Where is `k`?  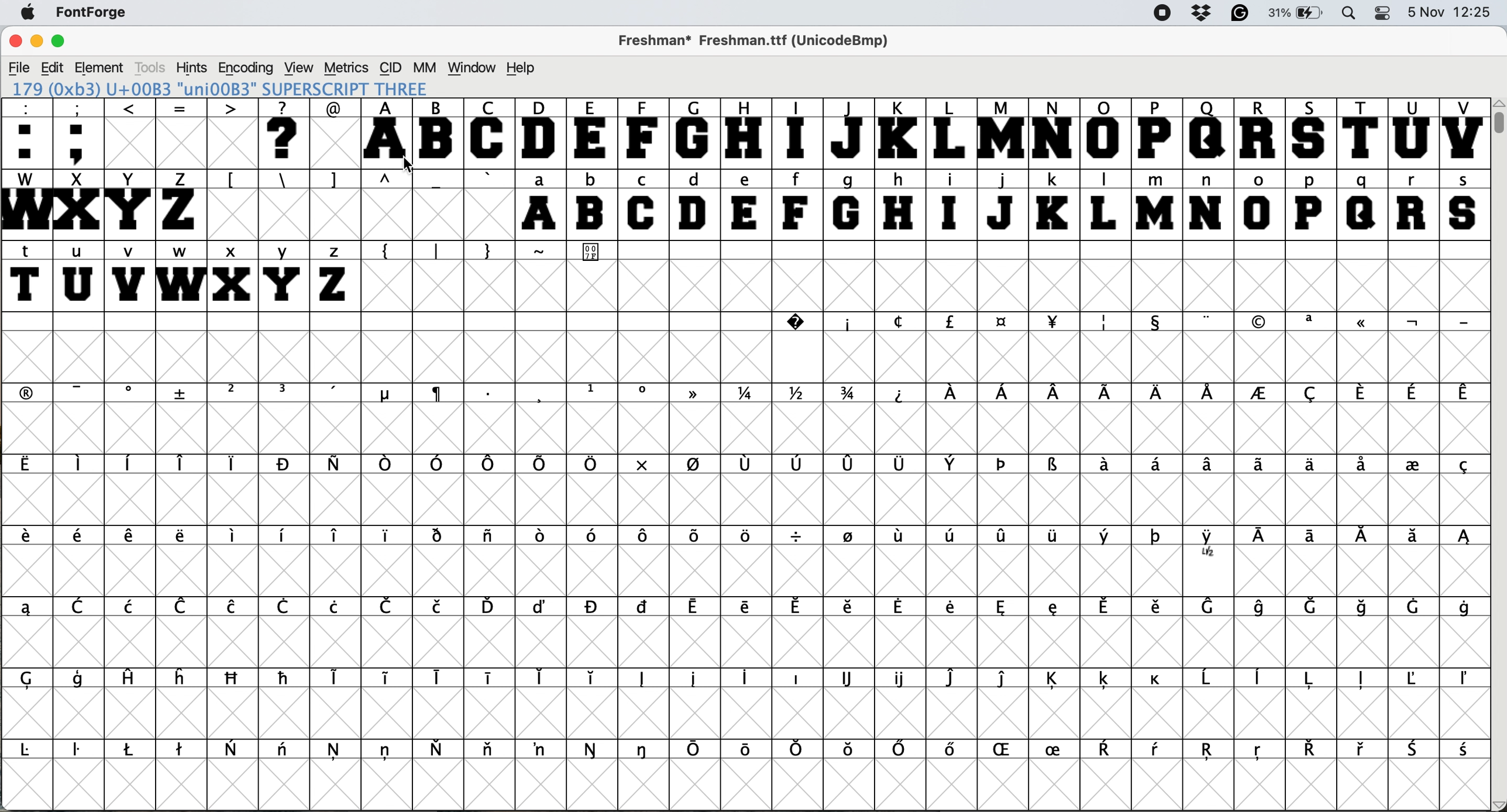
k is located at coordinates (1054, 204).